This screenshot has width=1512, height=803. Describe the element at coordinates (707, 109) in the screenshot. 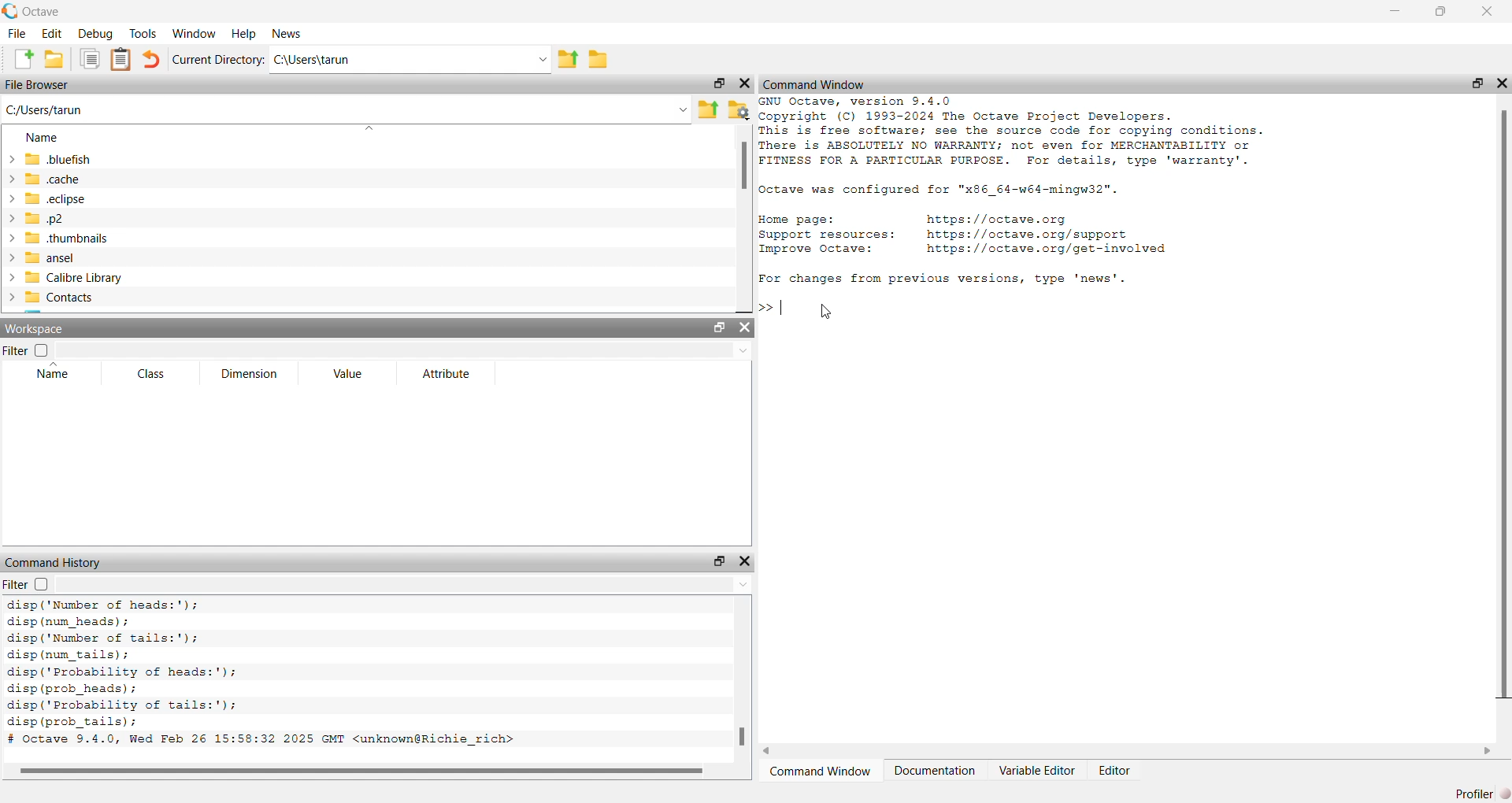

I see `One directory up` at that location.